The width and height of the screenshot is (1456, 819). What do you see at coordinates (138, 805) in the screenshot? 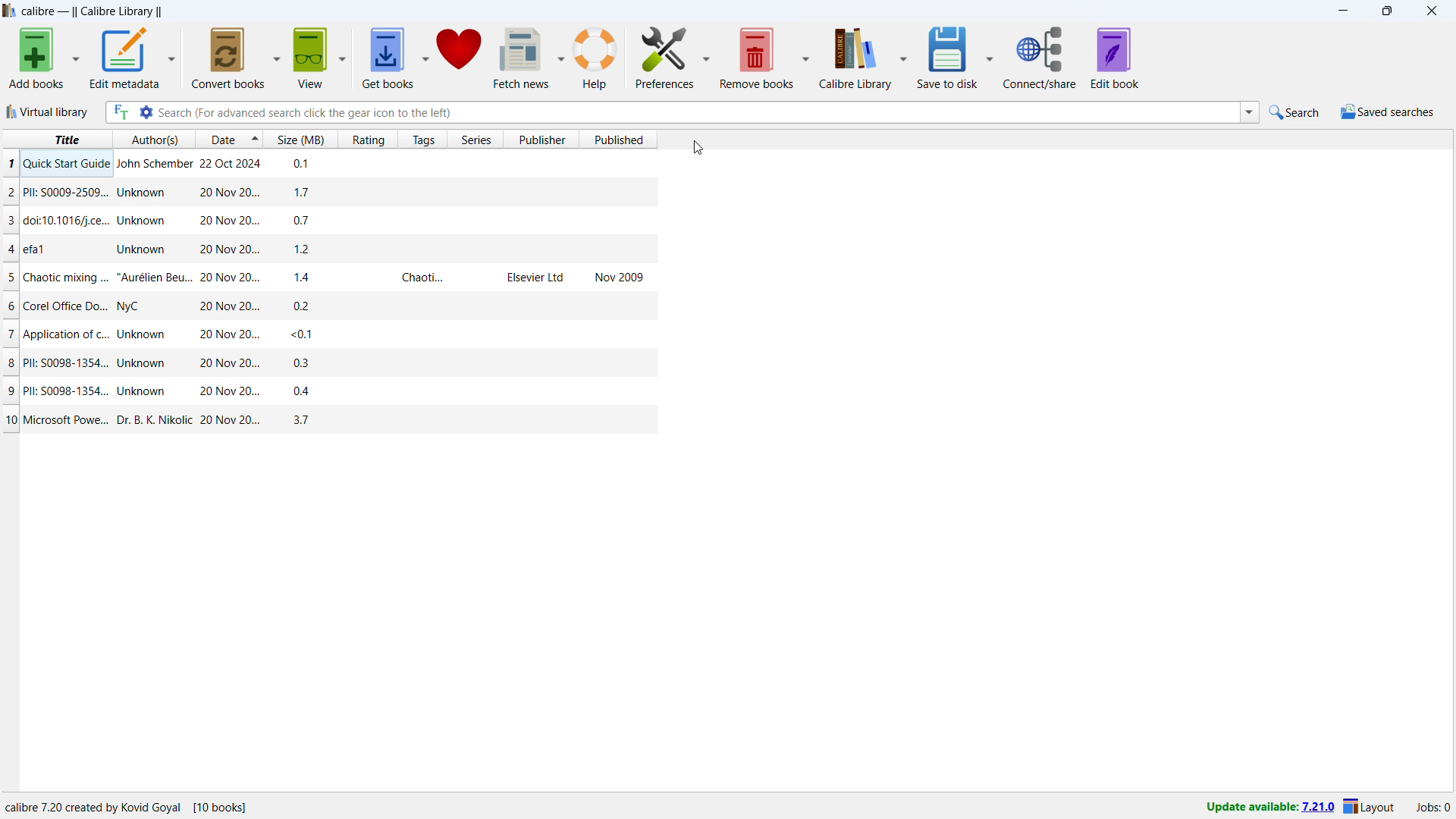
I see `calibre 7.20 created by Kovid goyal (10 books)` at bounding box center [138, 805].